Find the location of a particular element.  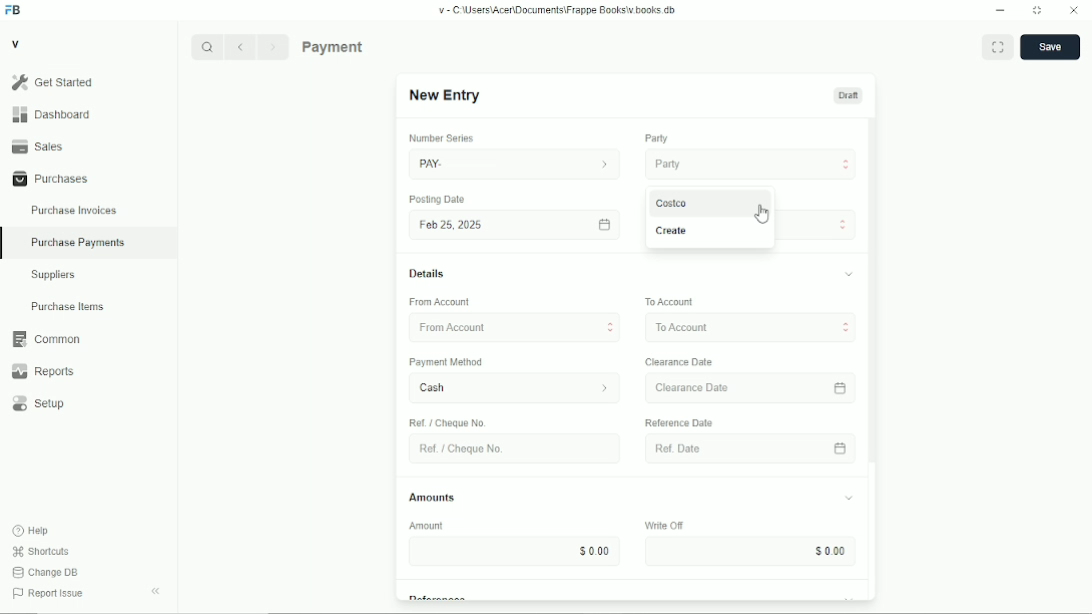

Ret. Choque No. is located at coordinates (509, 449).